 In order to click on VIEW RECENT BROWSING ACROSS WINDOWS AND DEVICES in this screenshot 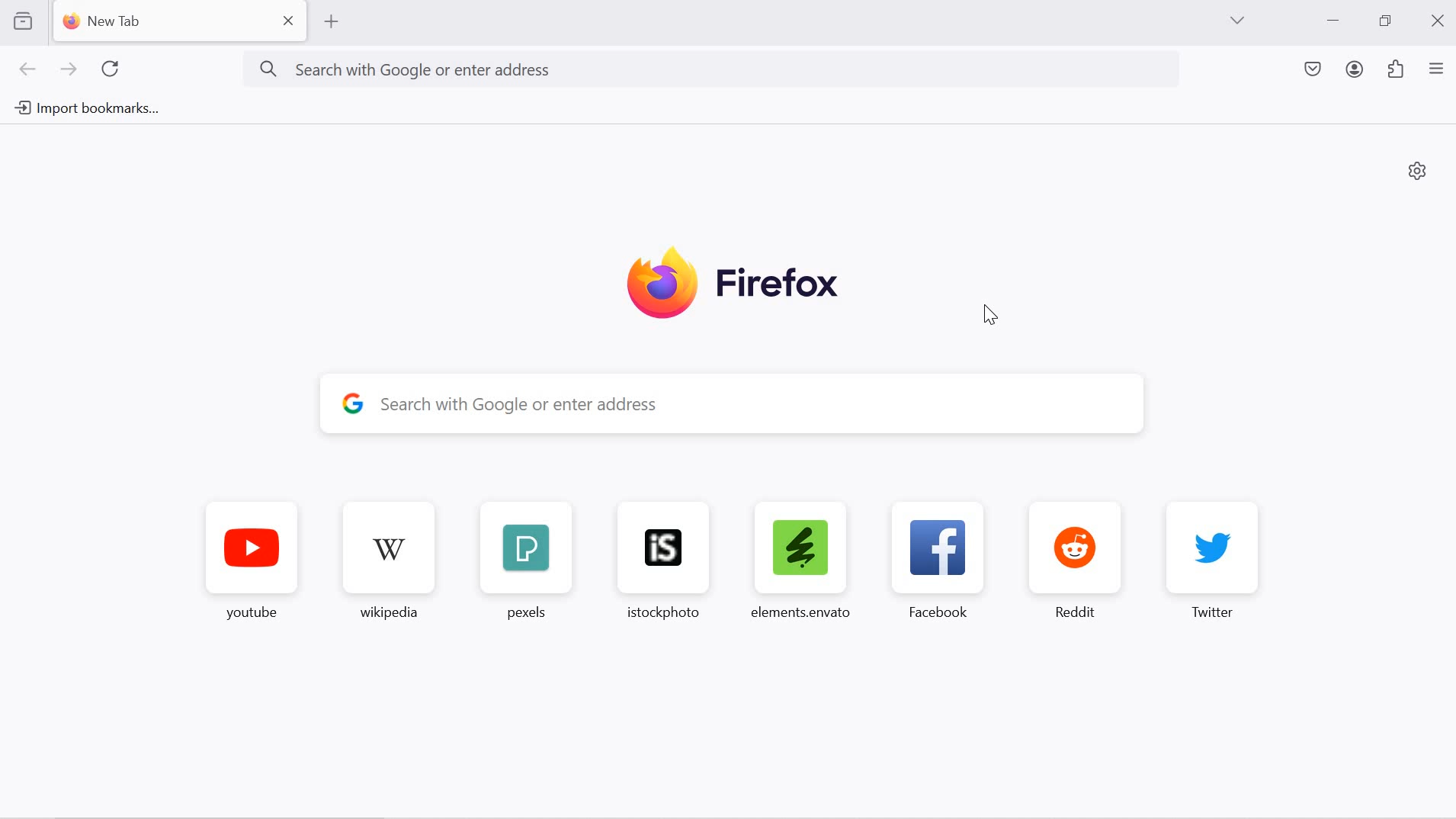, I will do `click(25, 24)`.